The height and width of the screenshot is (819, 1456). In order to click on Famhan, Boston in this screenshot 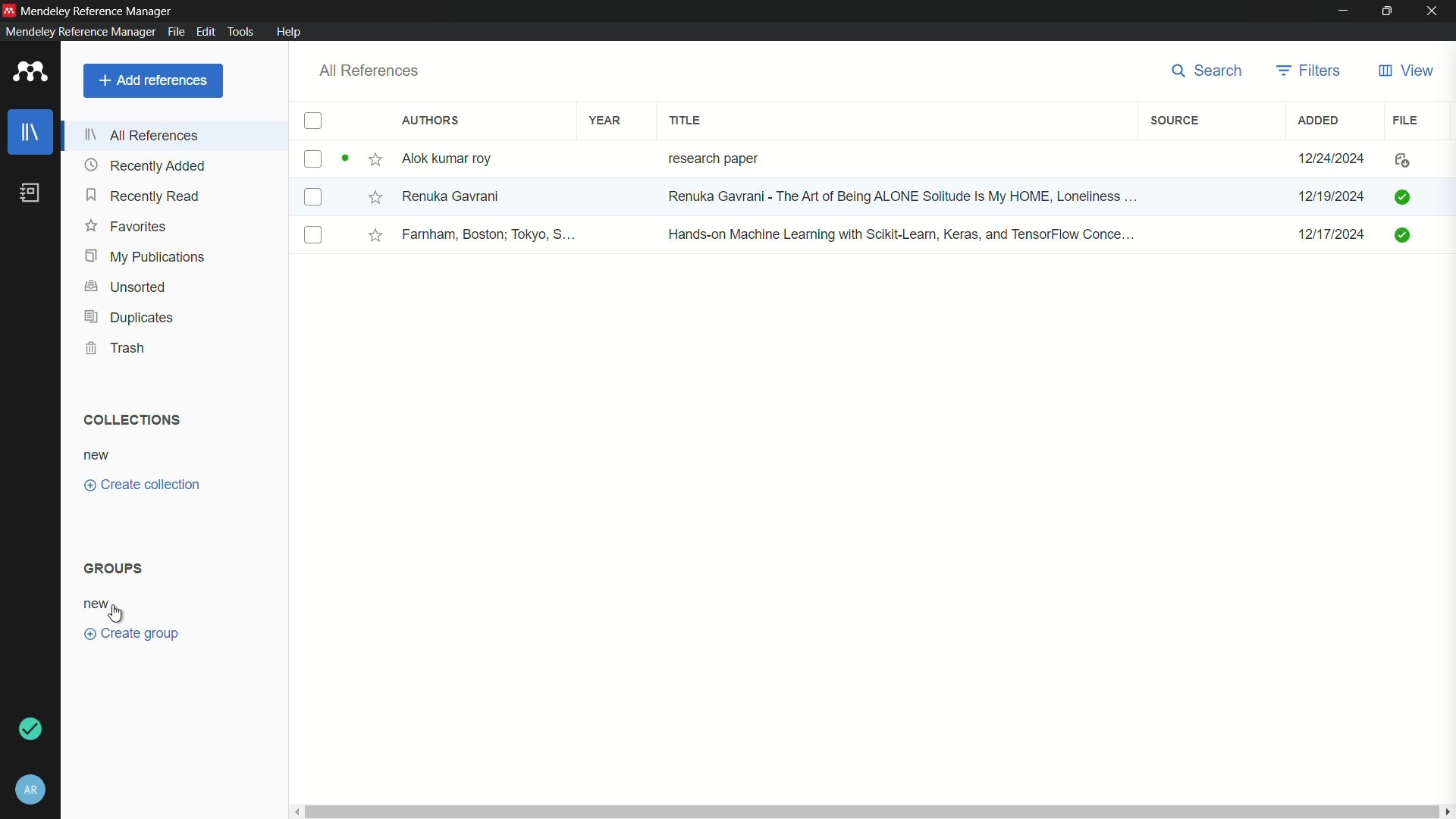, I will do `click(491, 237)`.